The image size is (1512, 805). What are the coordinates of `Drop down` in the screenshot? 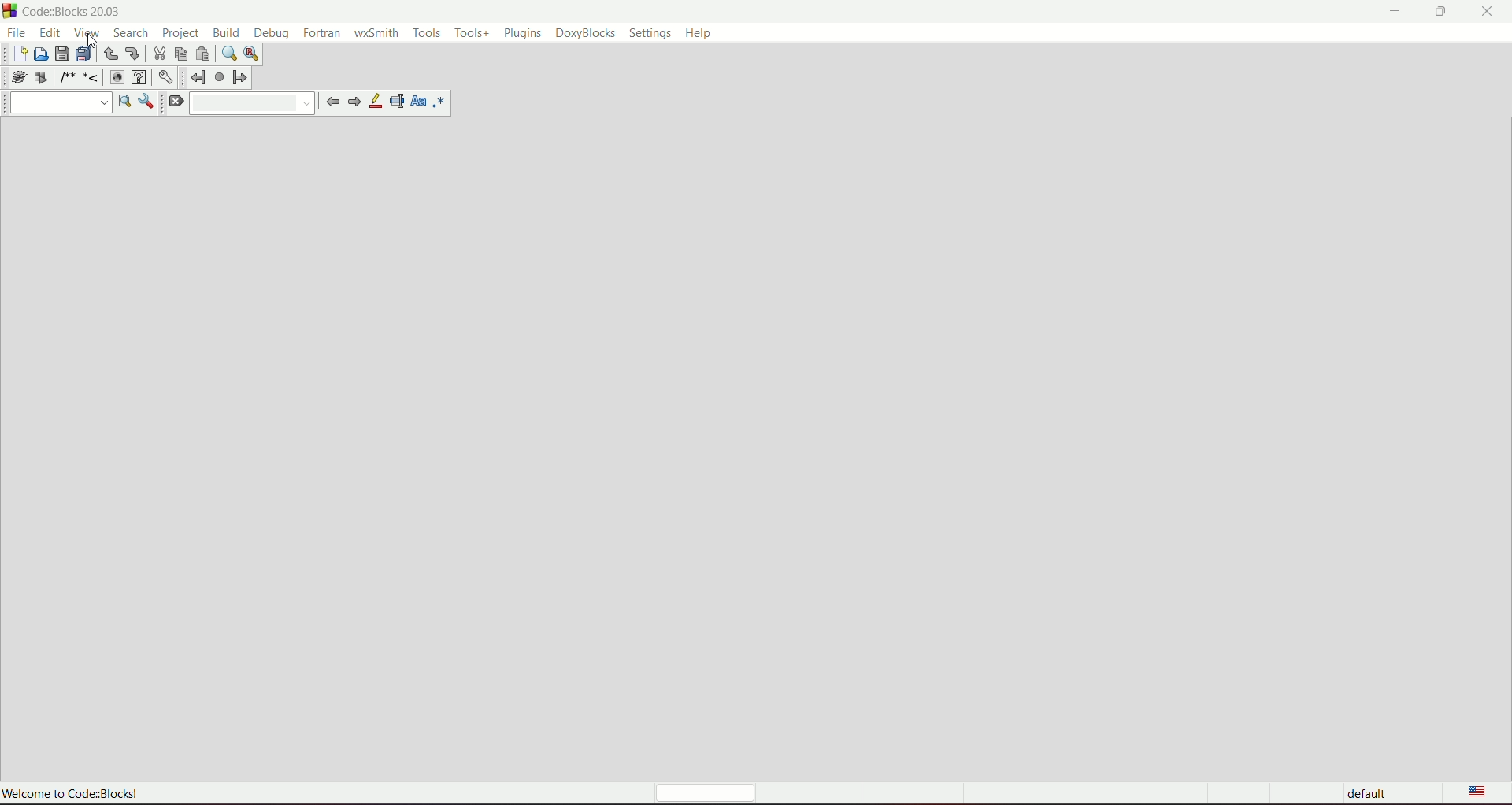 It's located at (305, 102).